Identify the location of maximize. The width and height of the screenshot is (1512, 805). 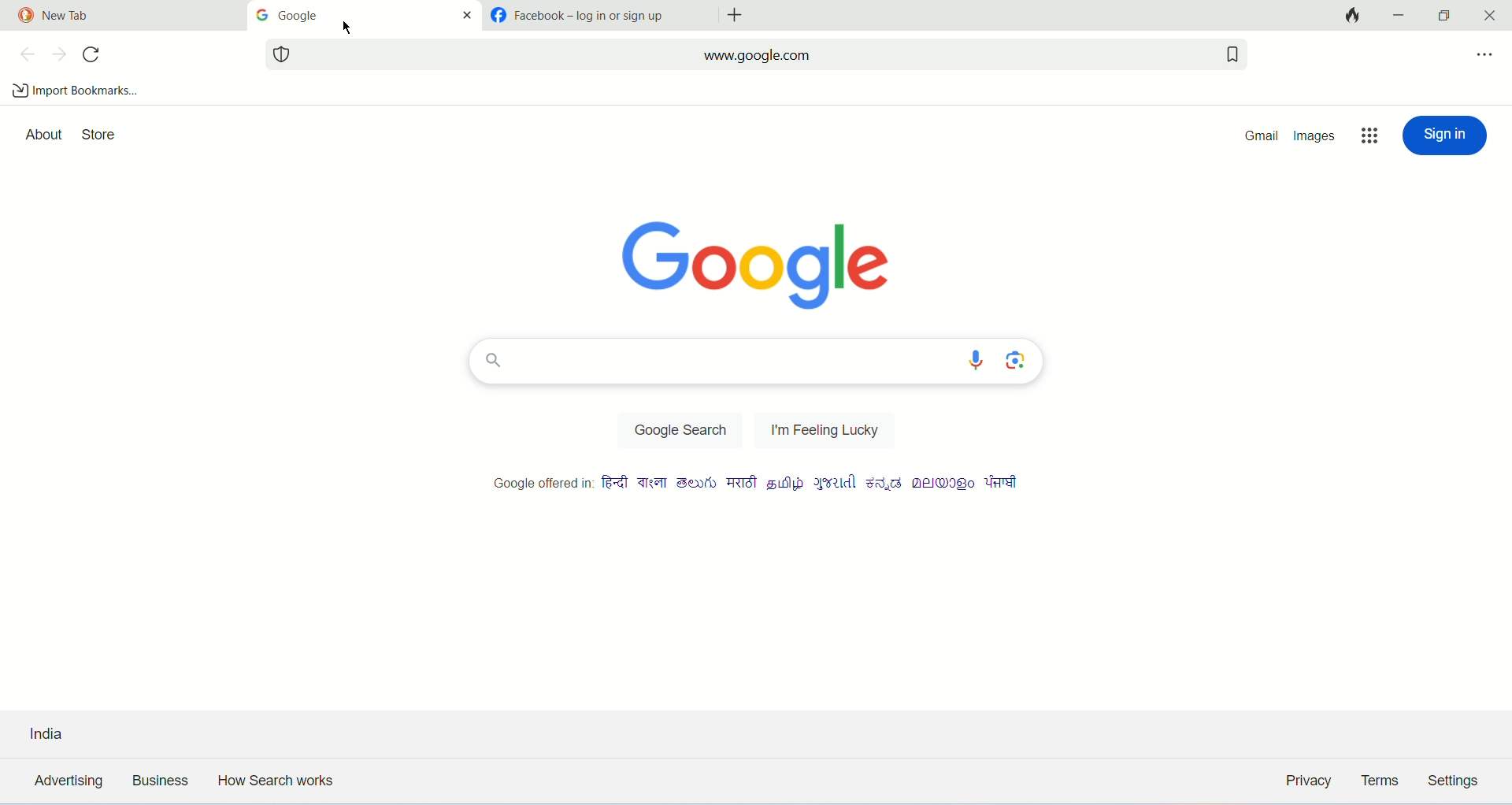
(1443, 17).